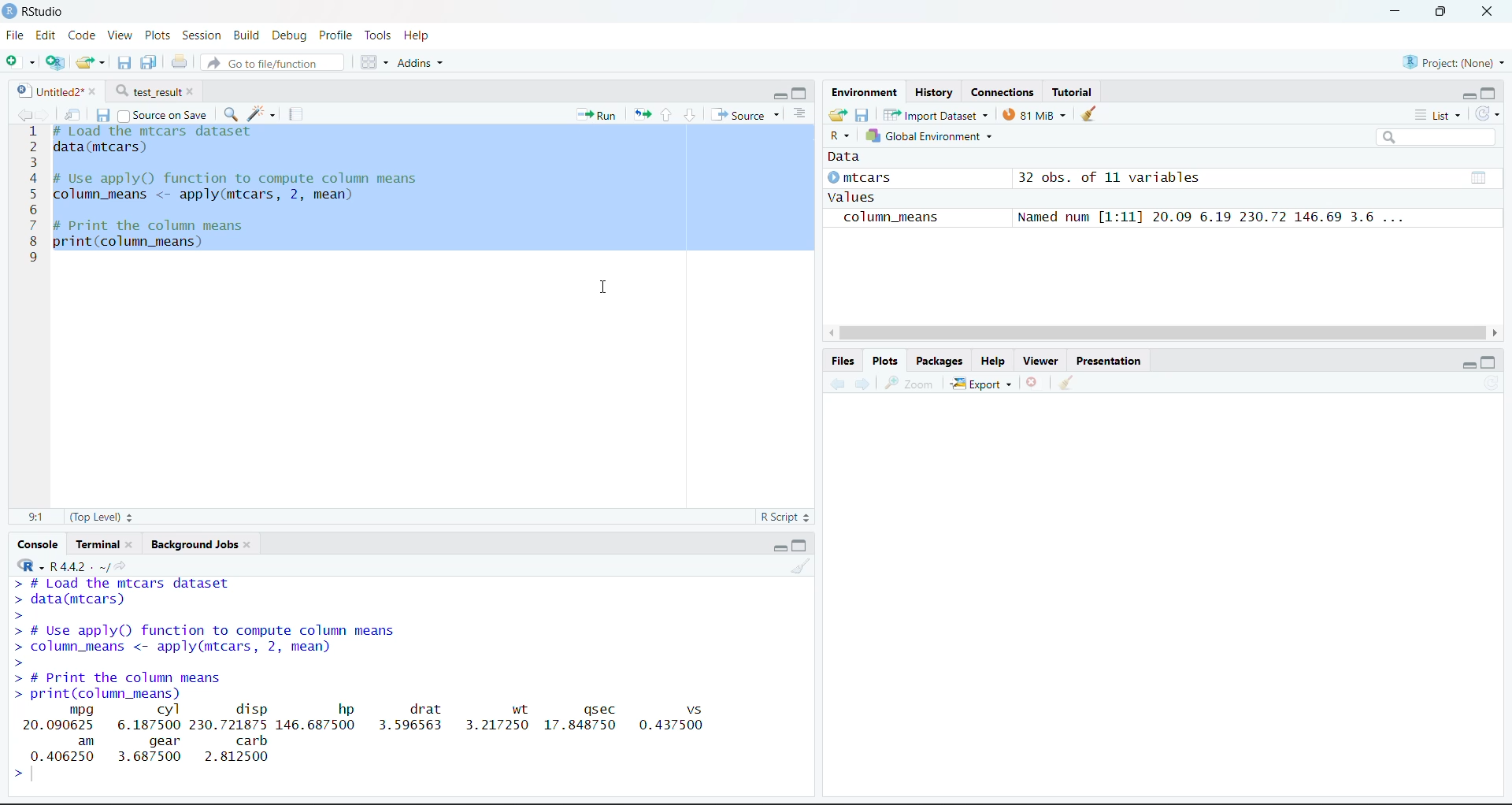 The image size is (1512, 805). What do you see at coordinates (246, 34) in the screenshot?
I see `Build` at bounding box center [246, 34].